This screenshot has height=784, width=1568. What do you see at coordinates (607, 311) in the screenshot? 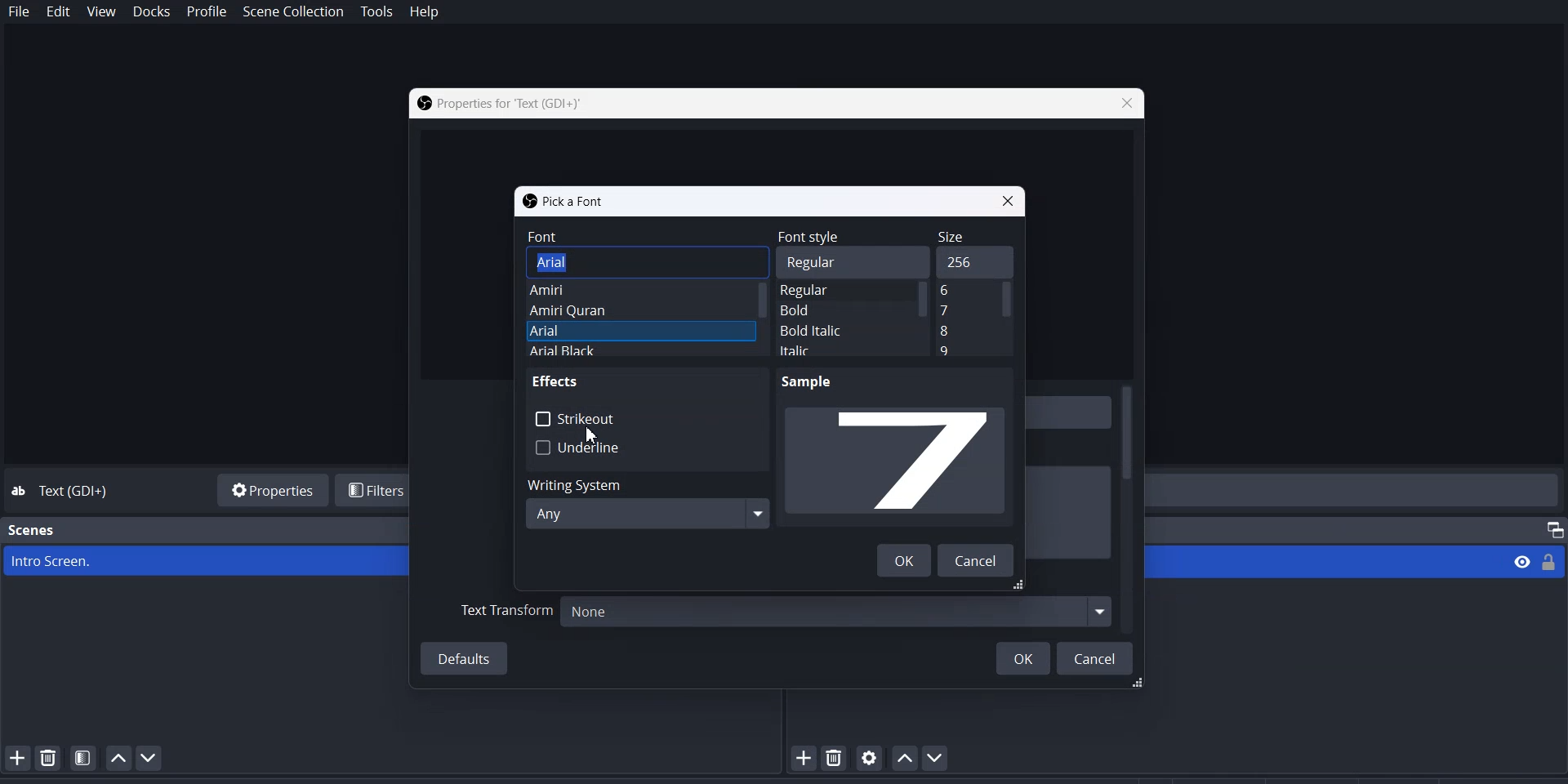
I see `Amiri Quran` at bounding box center [607, 311].